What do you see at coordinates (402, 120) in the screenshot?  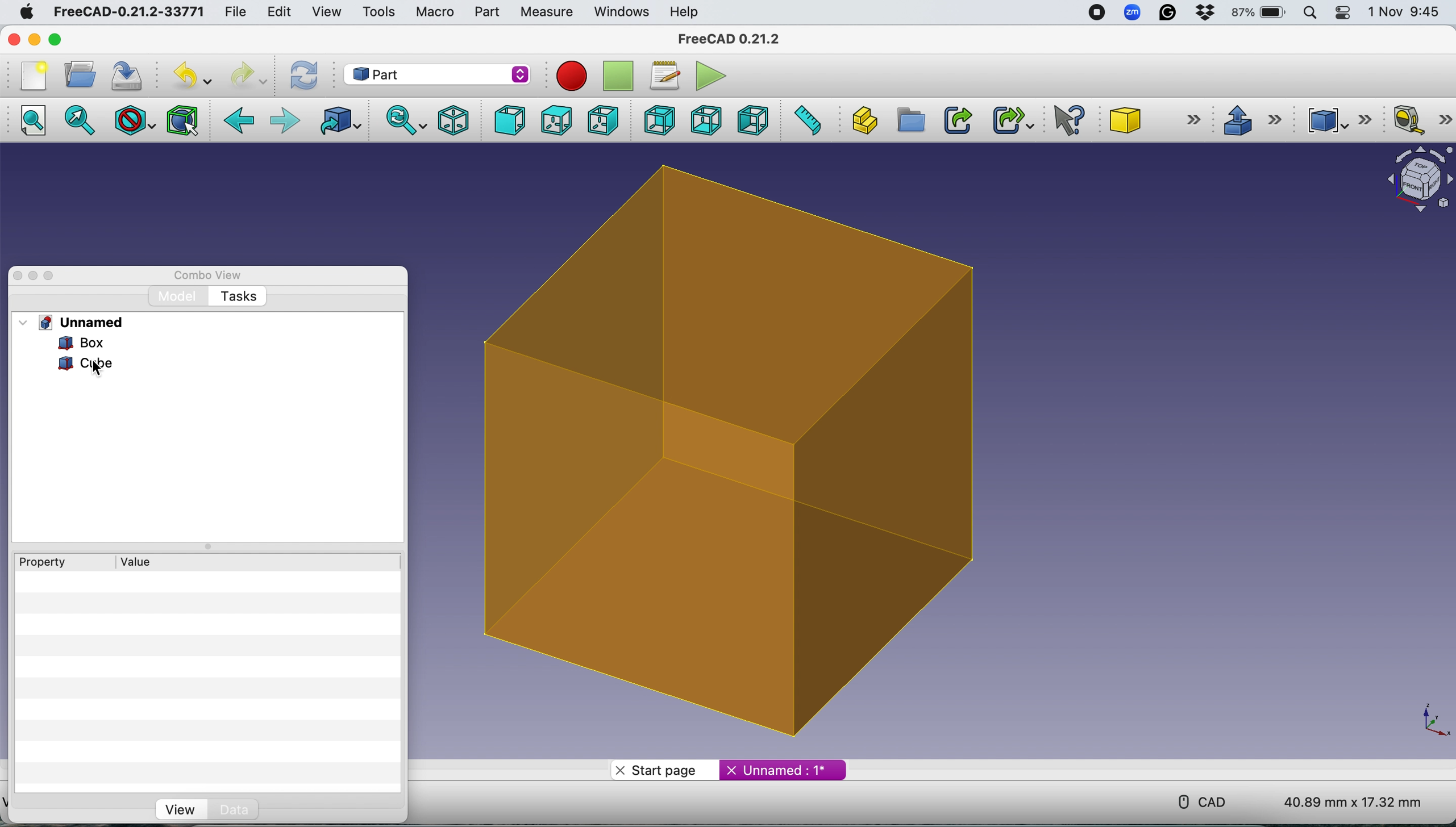 I see `Sync view` at bounding box center [402, 120].